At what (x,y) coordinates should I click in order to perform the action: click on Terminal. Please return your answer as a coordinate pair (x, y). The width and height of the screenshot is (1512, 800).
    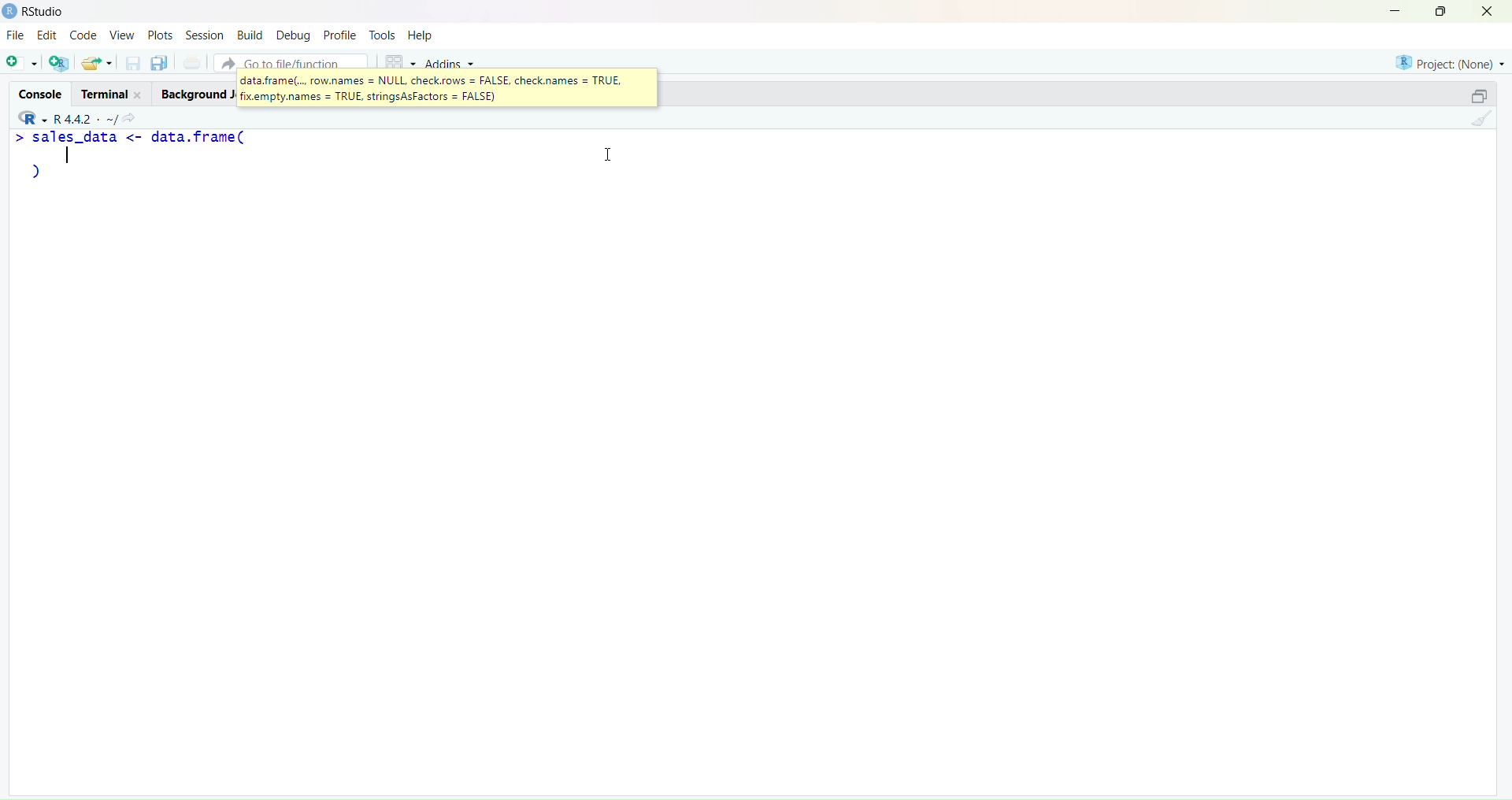
    Looking at the image, I should click on (108, 93).